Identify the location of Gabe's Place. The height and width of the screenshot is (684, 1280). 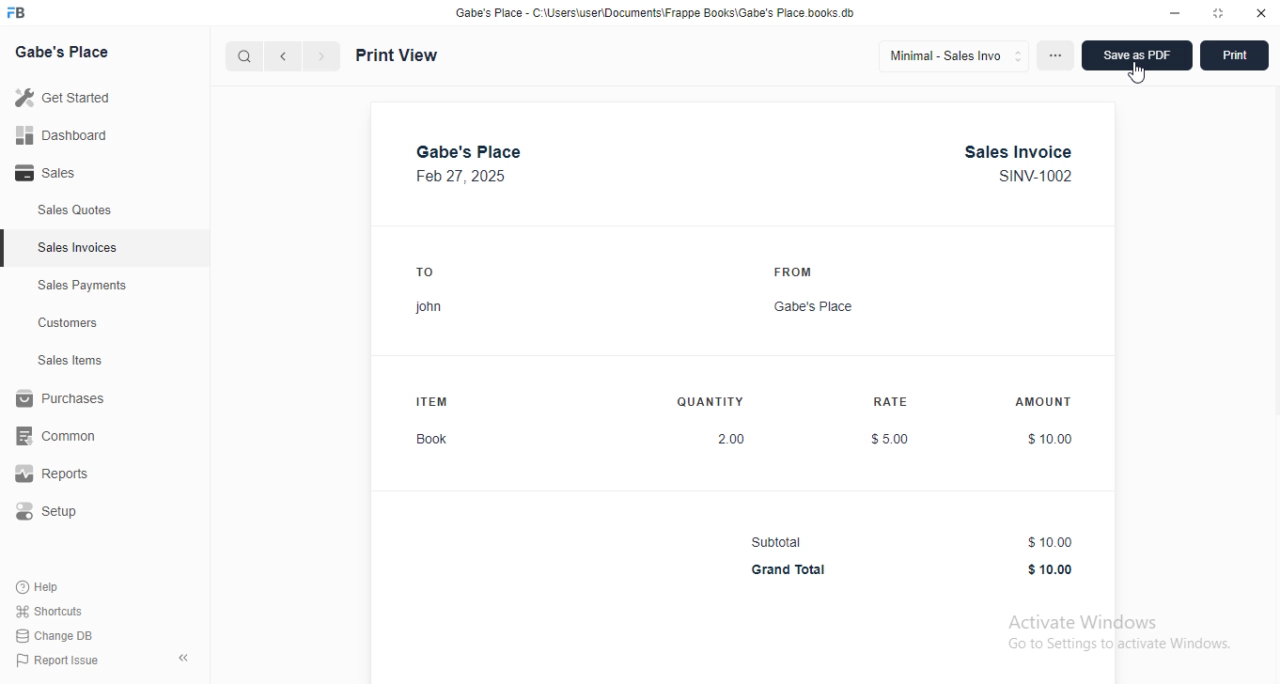
(814, 307).